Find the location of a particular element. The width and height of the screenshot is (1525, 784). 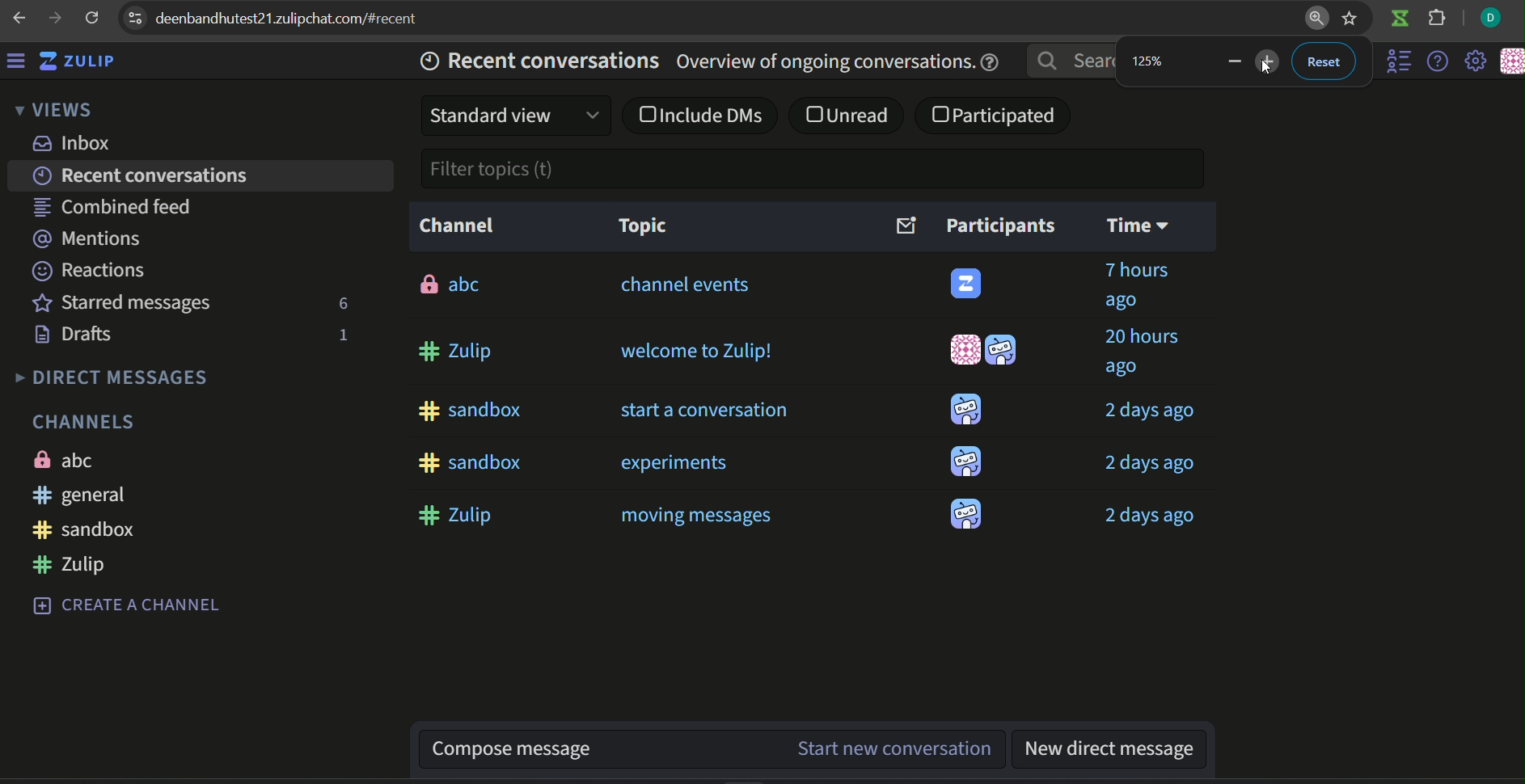

text is located at coordinates (64, 460).